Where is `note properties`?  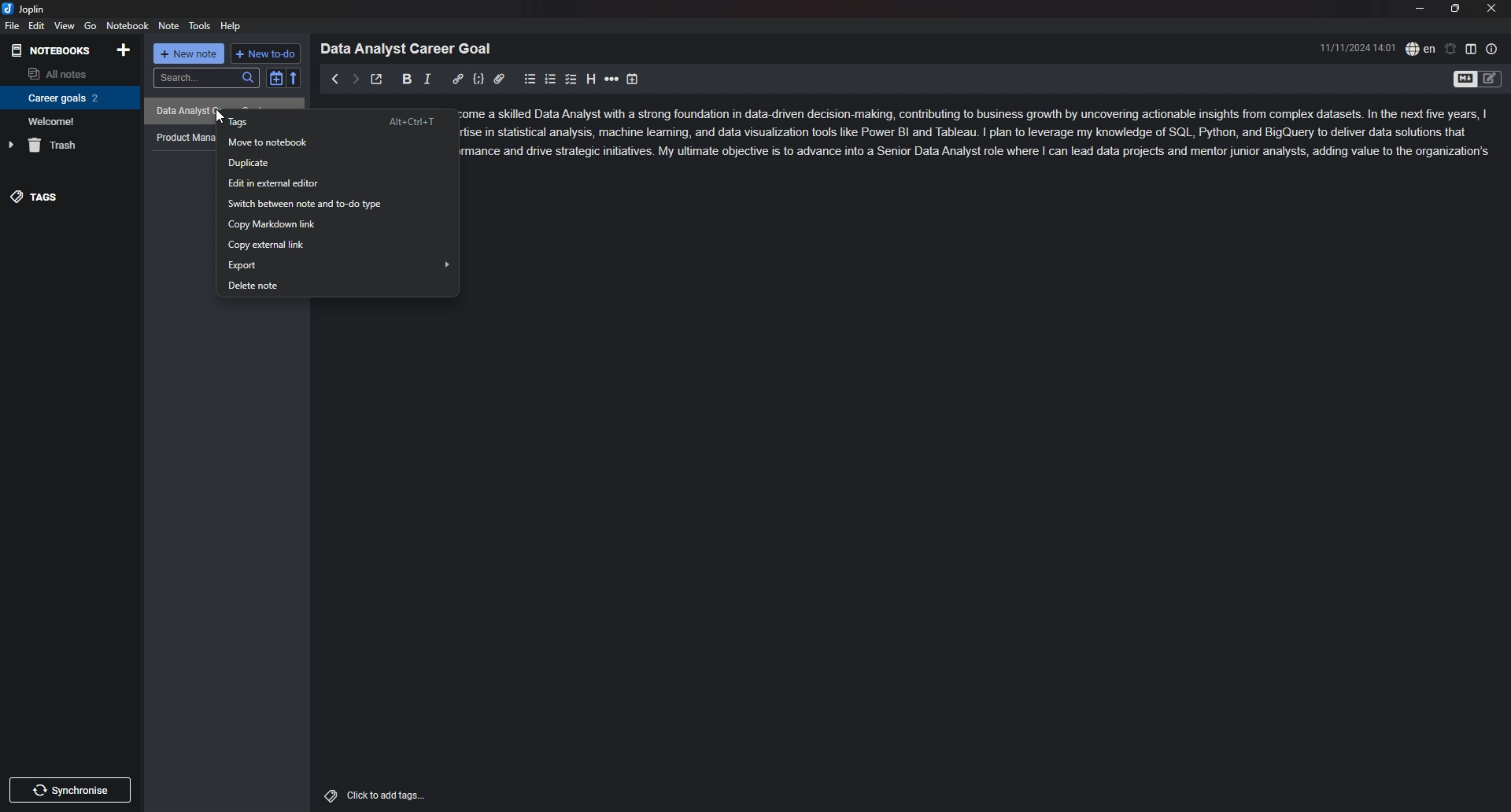 note properties is located at coordinates (1492, 49).